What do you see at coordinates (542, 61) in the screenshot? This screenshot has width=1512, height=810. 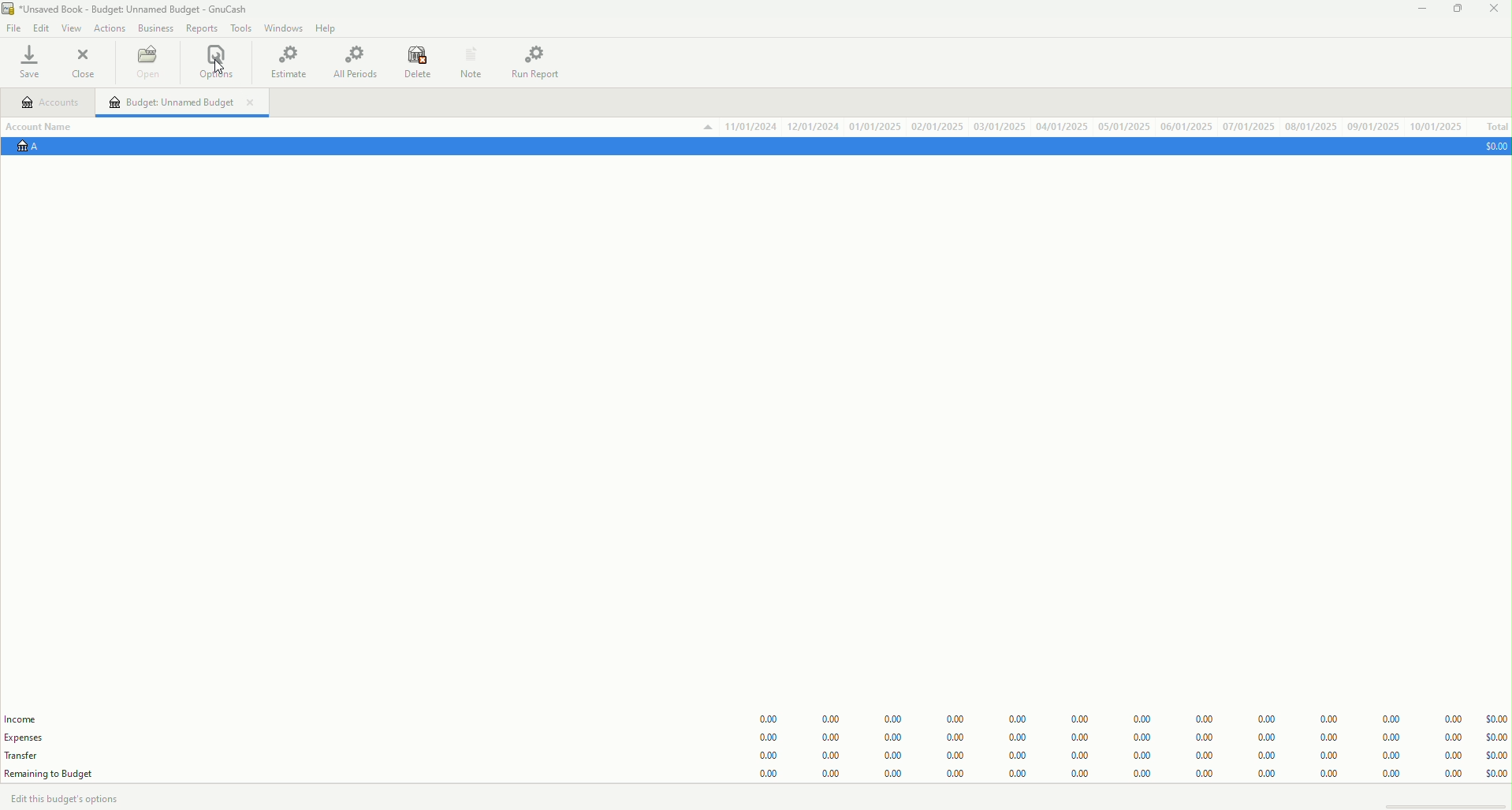 I see `Run Report` at bounding box center [542, 61].